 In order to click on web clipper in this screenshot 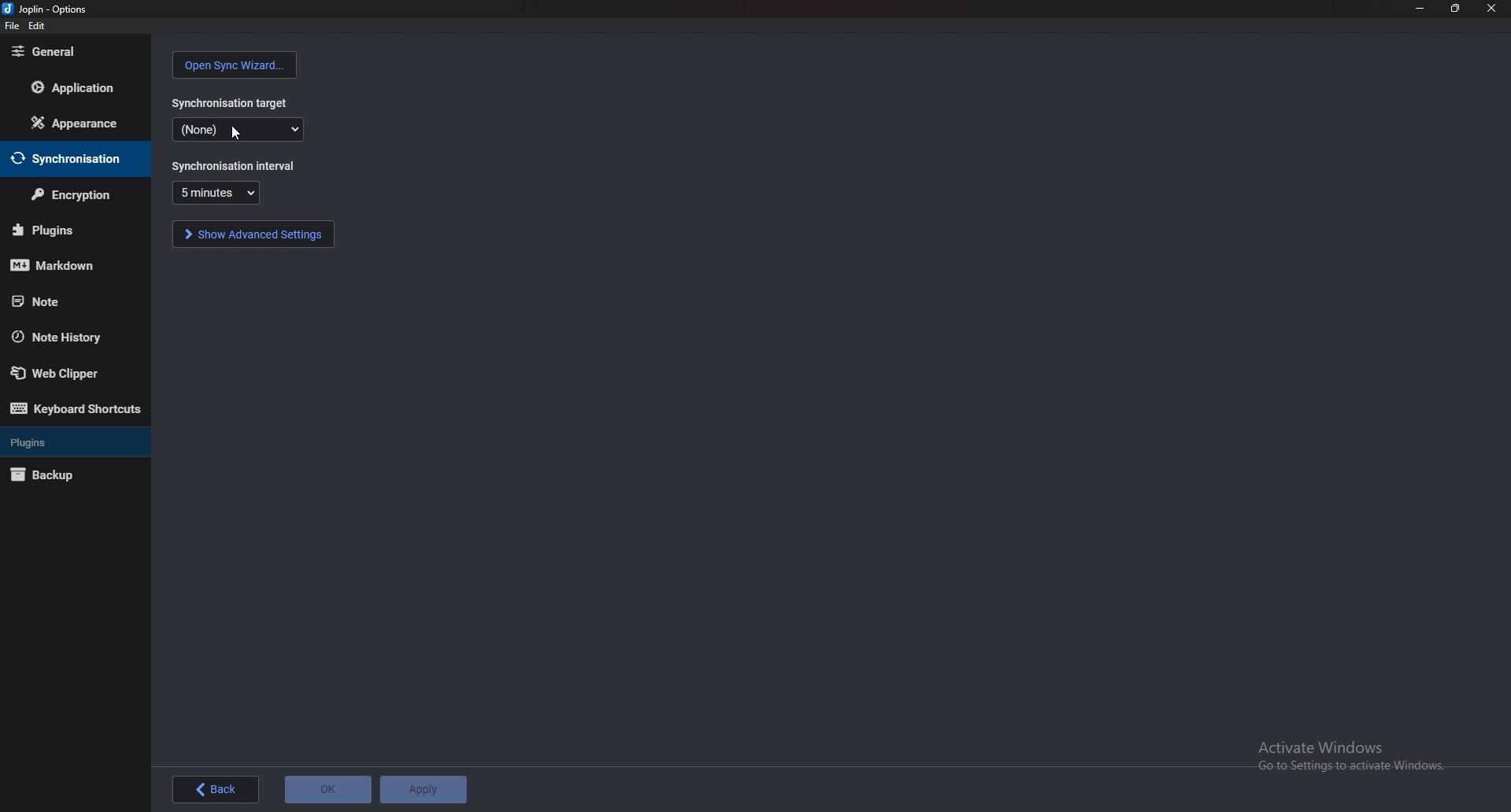, I will do `click(68, 372)`.